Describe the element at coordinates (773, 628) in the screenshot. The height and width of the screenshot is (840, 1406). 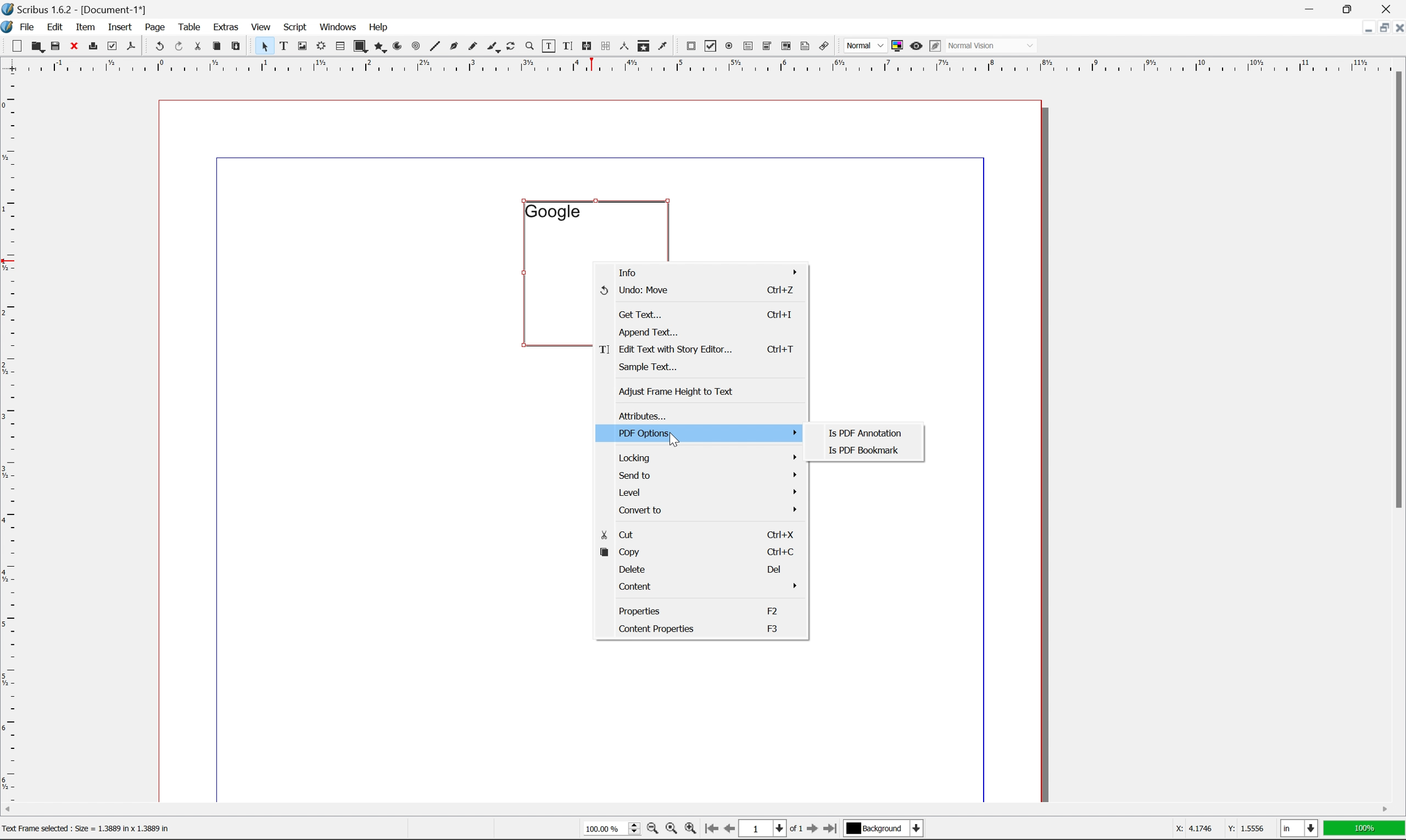
I see `F3` at that location.